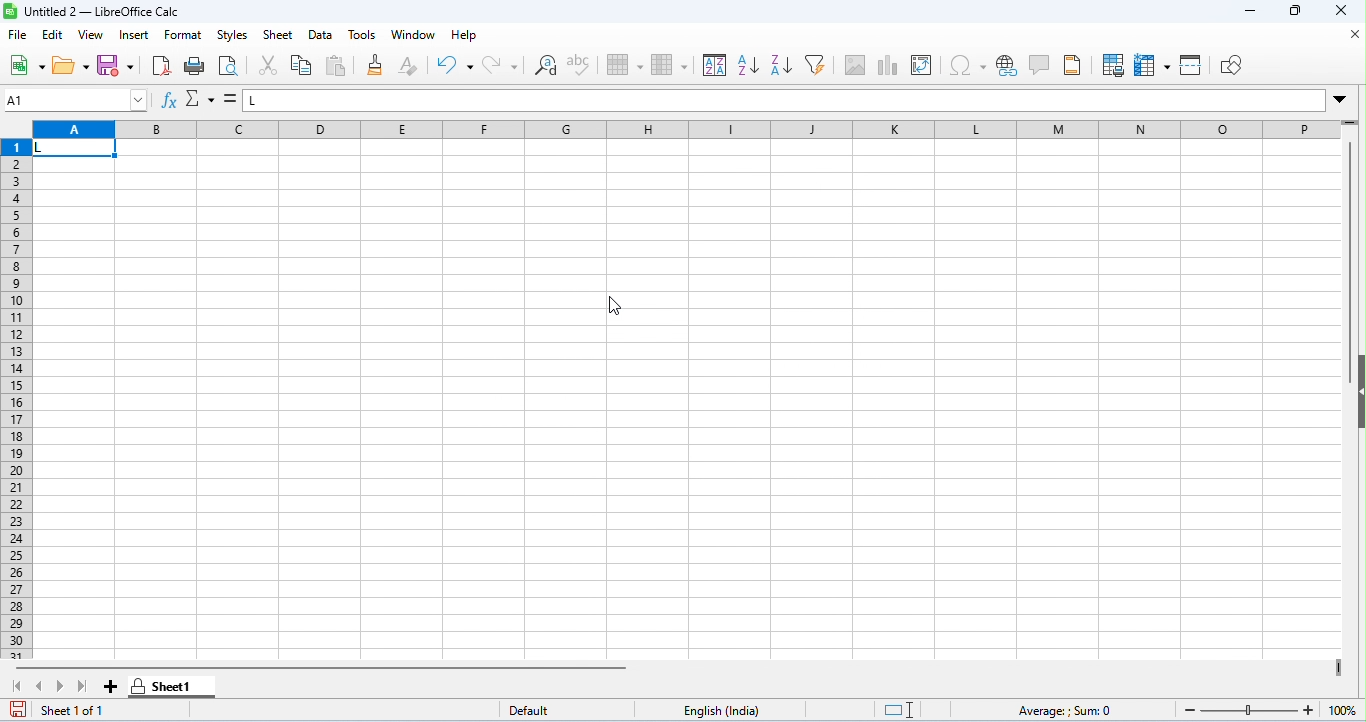  What do you see at coordinates (185, 37) in the screenshot?
I see `format` at bounding box center [185, 37].